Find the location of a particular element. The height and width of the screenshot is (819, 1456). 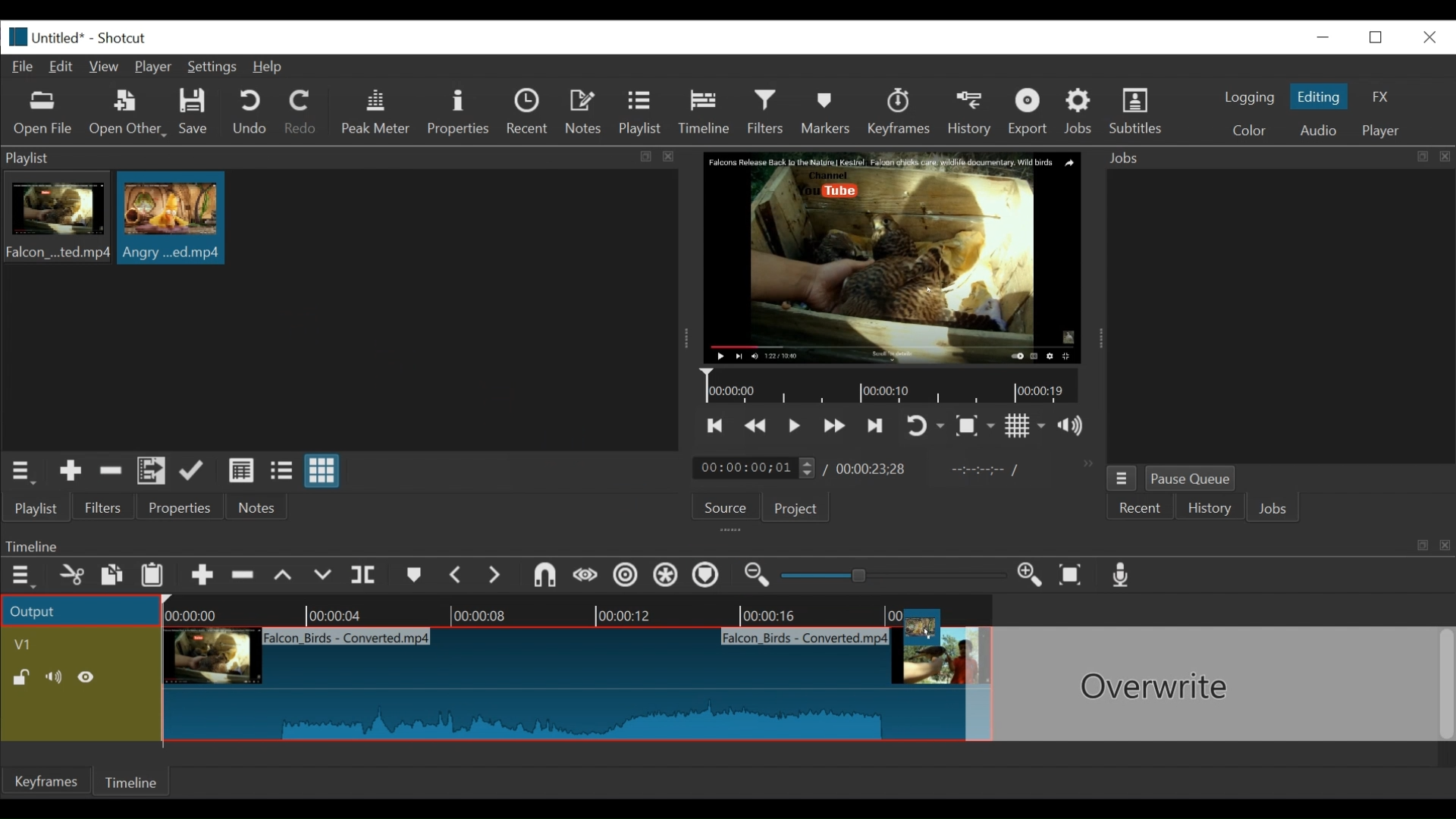

properties is located at coordinates (181, 508).